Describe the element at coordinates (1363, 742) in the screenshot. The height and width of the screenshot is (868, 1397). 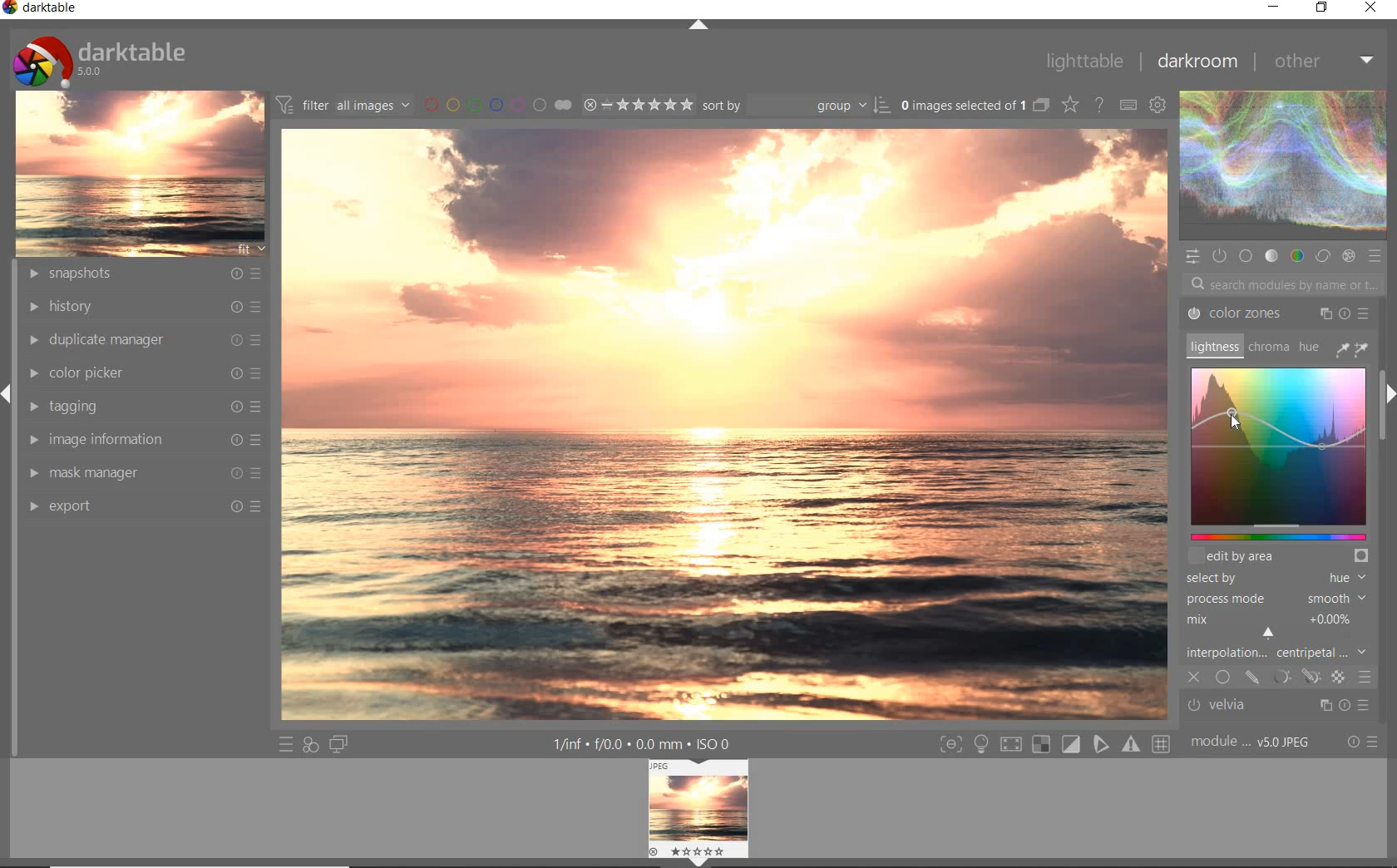
I see `RESET OR PRESET &PREFERENCE` at that location.